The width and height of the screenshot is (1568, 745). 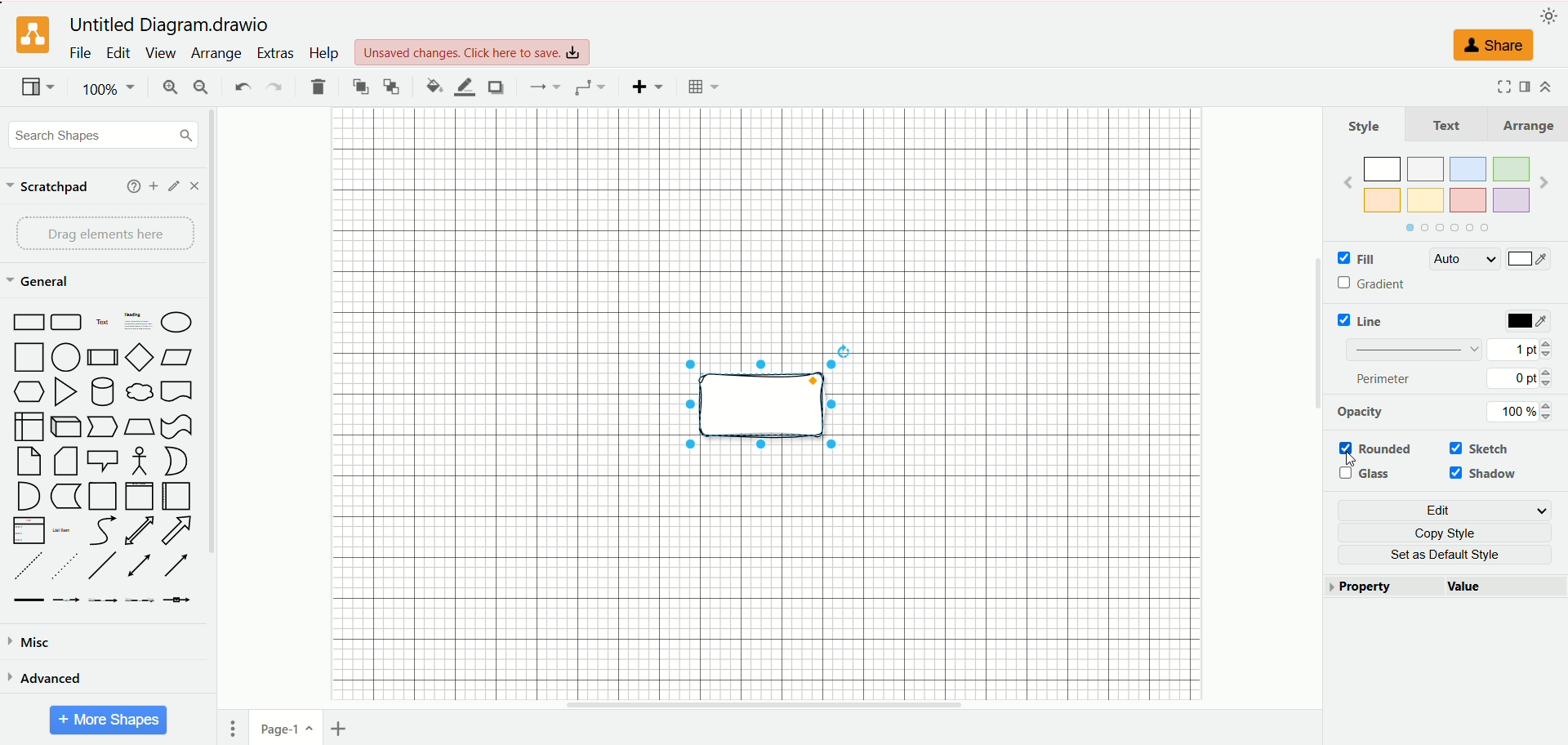 I want to click on shapes, so click(x=102, y=459).